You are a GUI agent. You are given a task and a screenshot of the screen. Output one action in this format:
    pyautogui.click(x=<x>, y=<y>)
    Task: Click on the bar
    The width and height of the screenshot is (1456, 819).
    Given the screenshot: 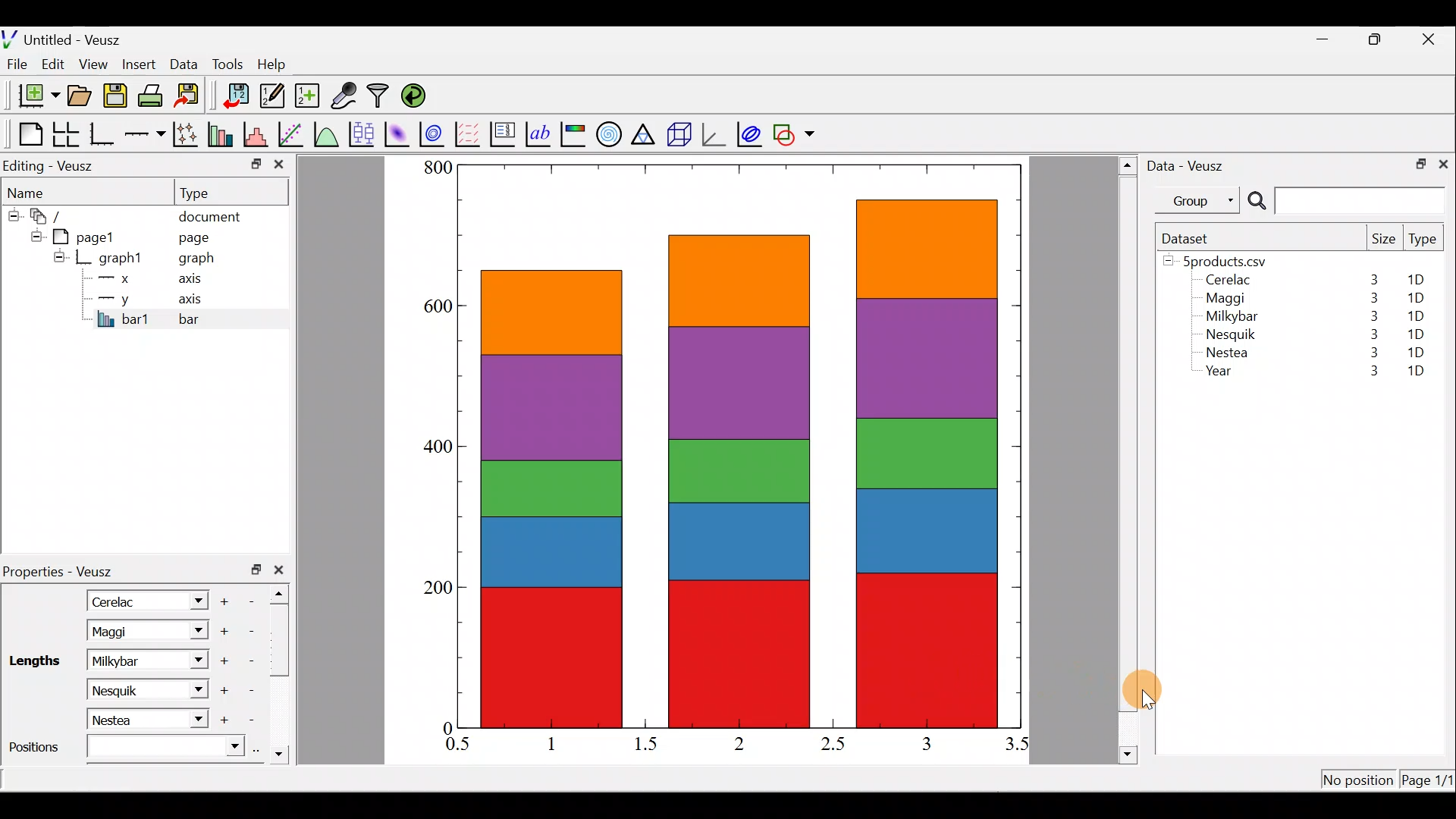 What is the action you would take?
    pyautogui.click(x=214, y=318)
    